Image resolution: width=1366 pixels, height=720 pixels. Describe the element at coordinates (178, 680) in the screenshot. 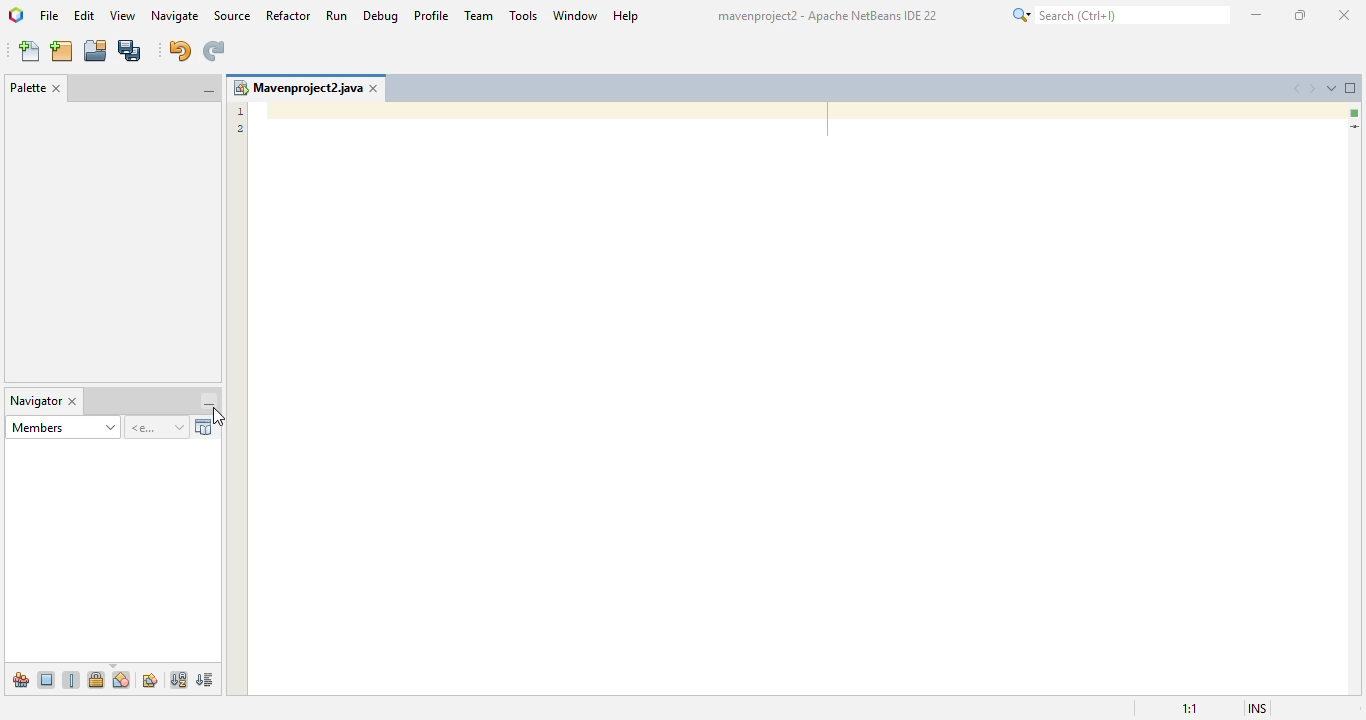

I see `sort by names` at that location.